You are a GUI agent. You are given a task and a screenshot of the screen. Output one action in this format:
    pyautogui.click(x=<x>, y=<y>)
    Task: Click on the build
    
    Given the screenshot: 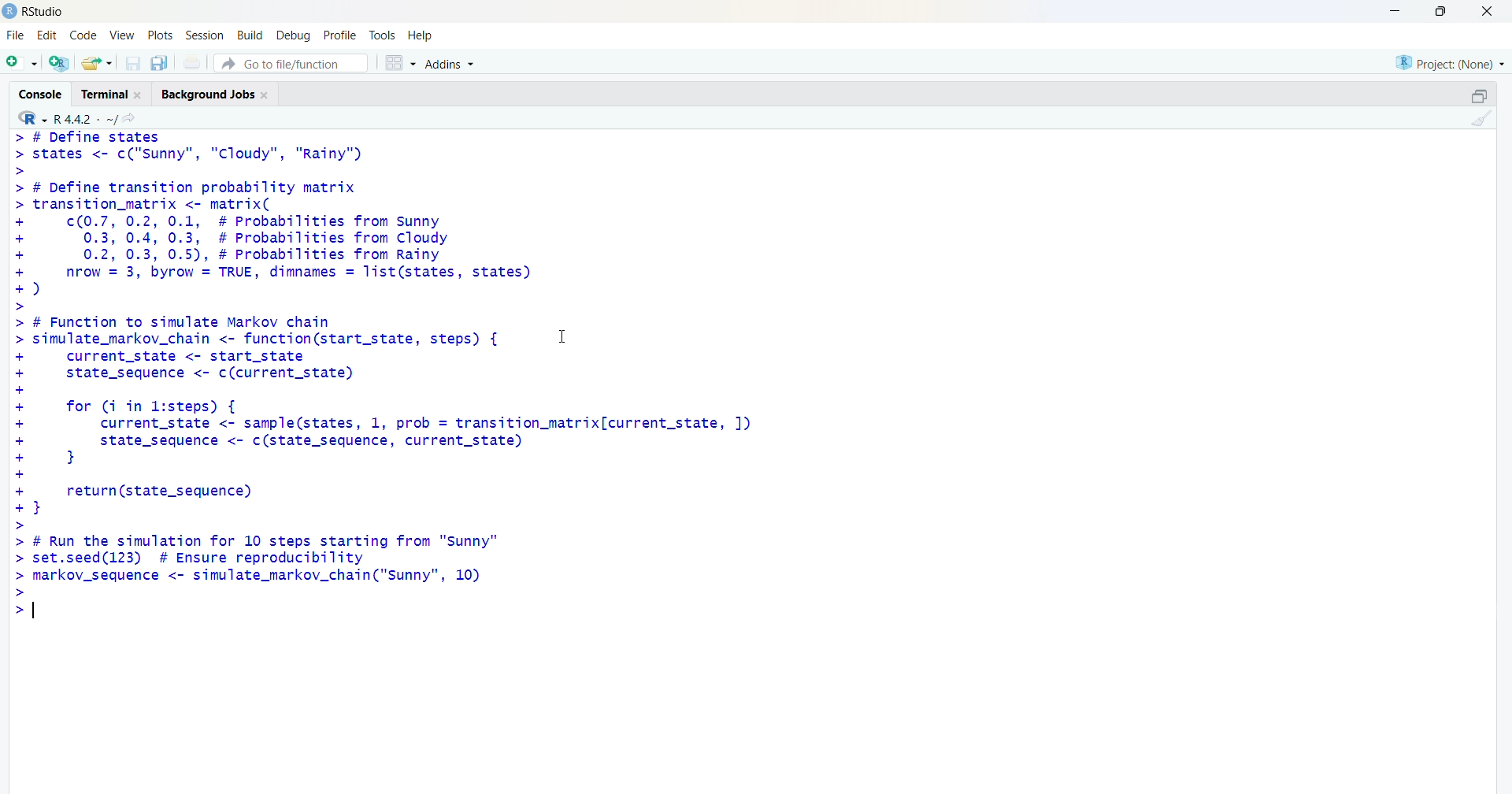 What is the action you would take?
    pyautogui.click(x=250, y=35)
    